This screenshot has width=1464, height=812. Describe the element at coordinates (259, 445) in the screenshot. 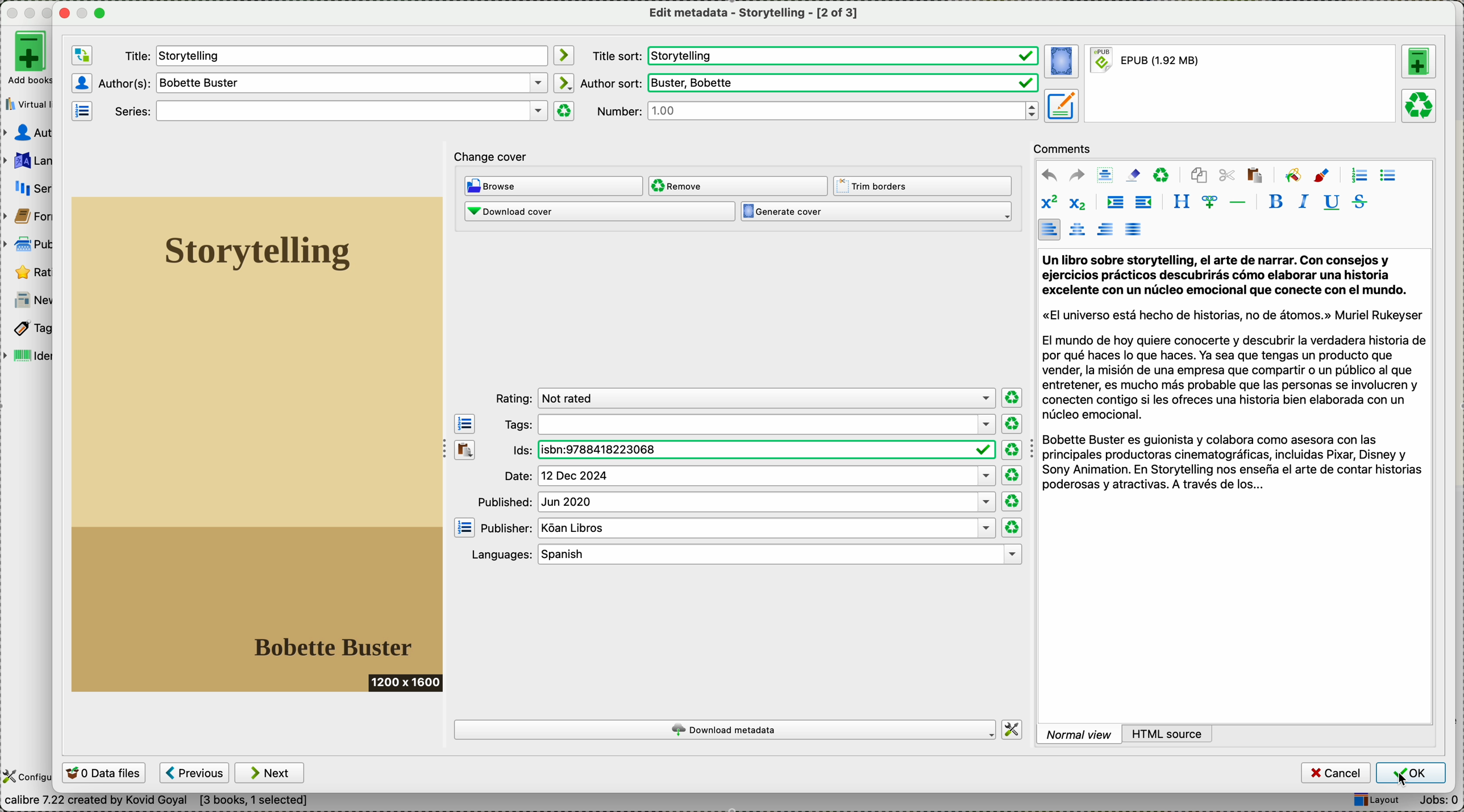

I see `new cover` at that location.